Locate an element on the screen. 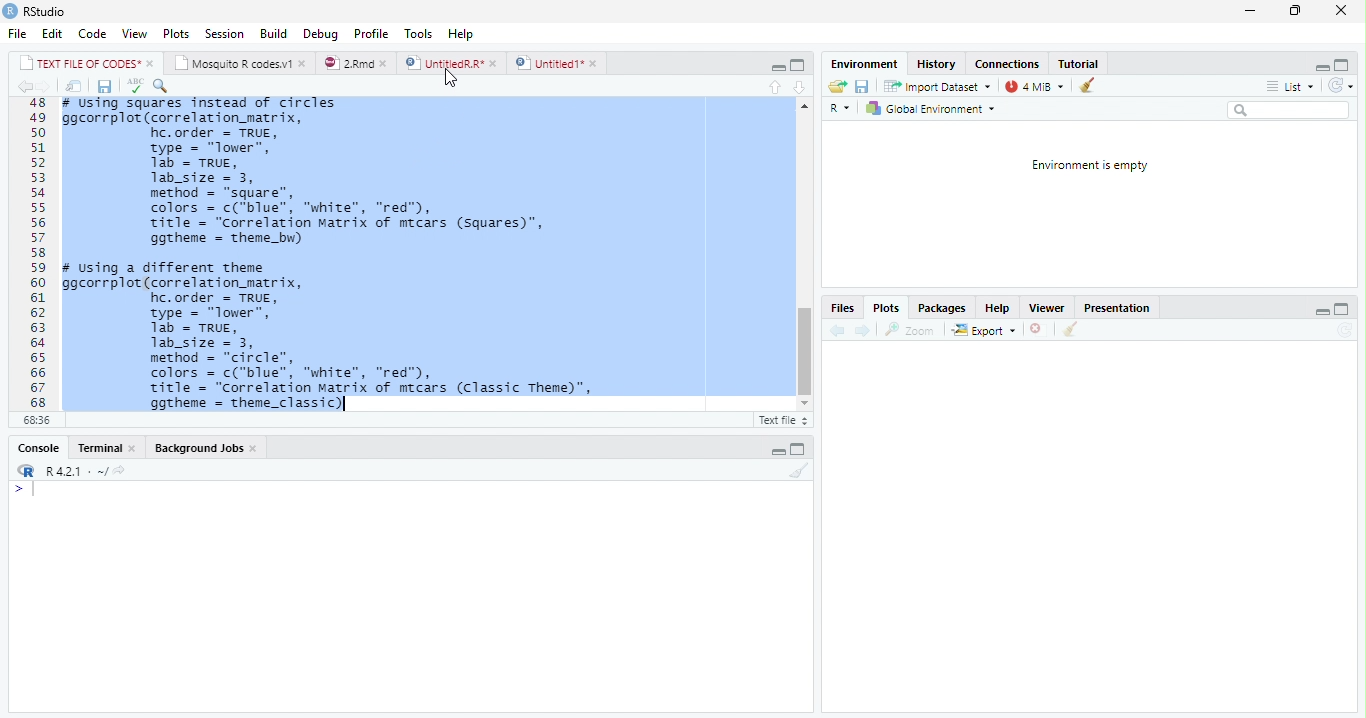 This screenshot has width=1366, height=718. maximize is located at coordinates (1295, 13).